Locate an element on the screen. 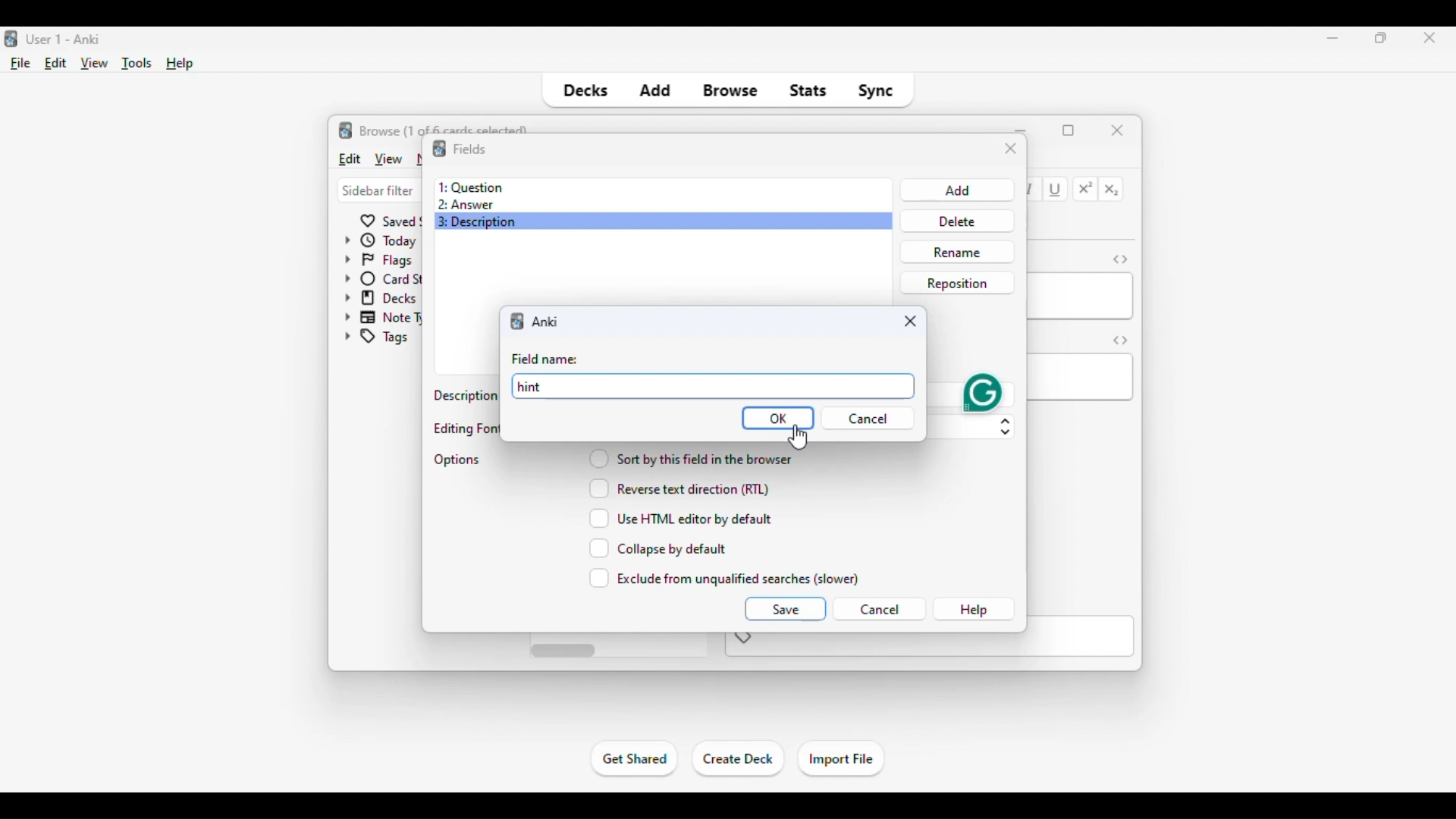 This screenshot has width=1456, height=819. collapse by default is located at coordinates (658, 548).